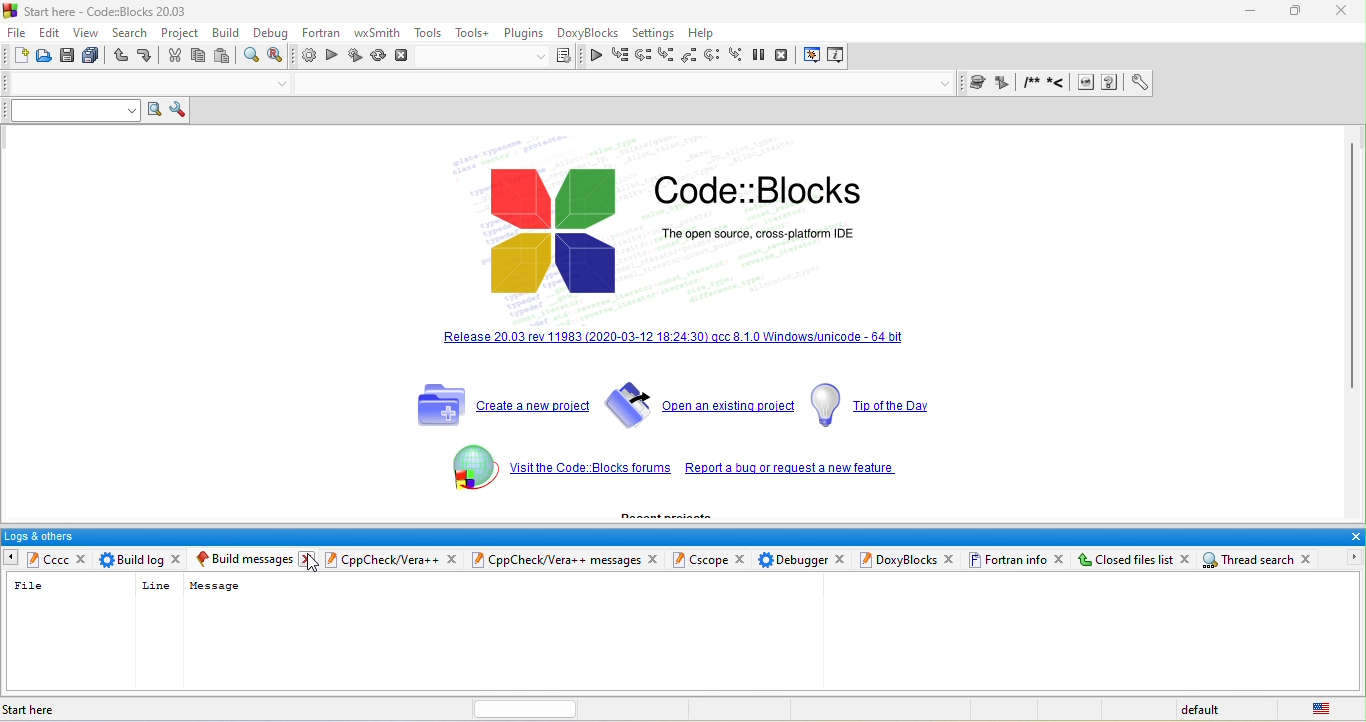 The width and height of the screenshot is (1366, 722). What do you see at coordinates (404, 57) in the screenshot?
I see `abort` at bounding box center [404, 57].